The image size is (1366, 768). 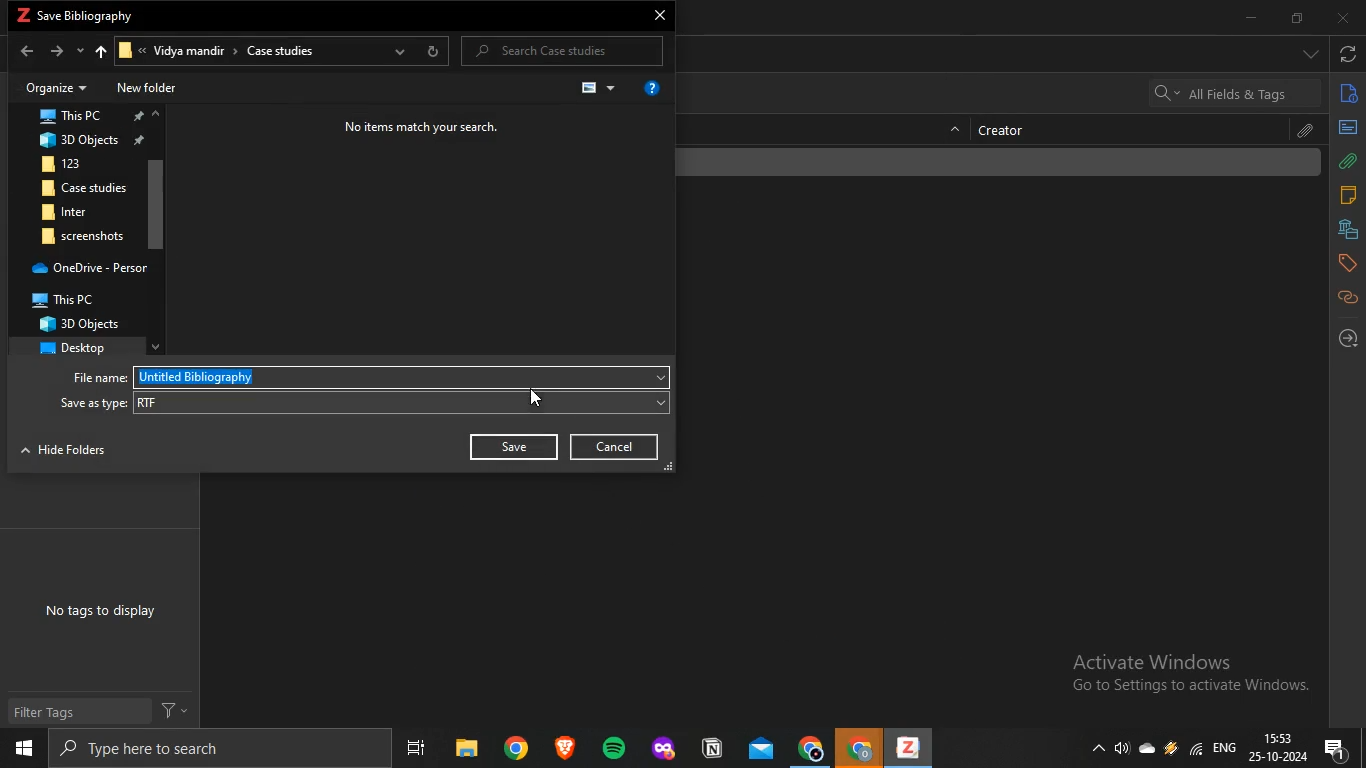 I want to click on notification, so click(x=1337, y=748).